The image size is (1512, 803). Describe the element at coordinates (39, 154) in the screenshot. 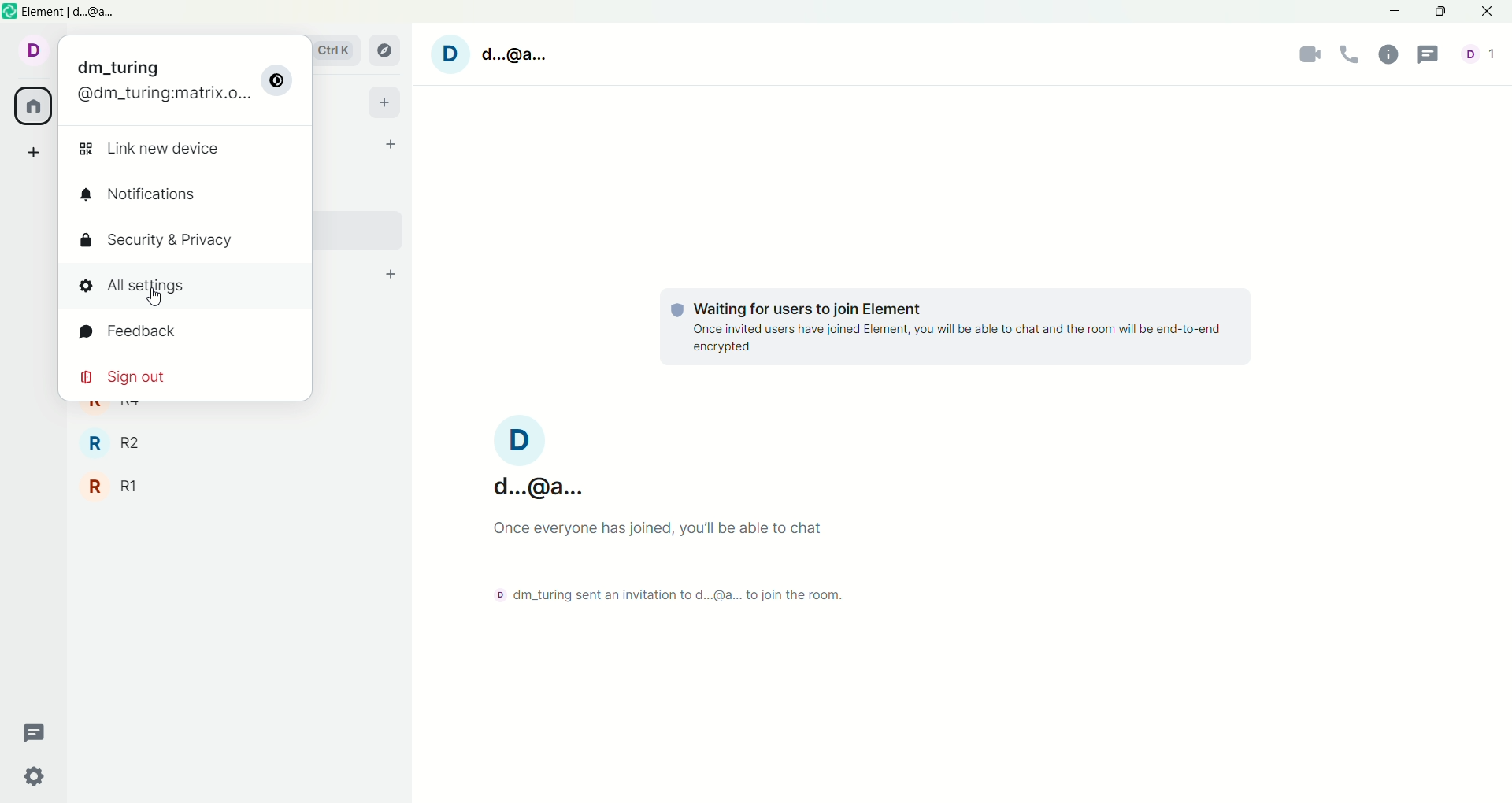

I see `create a space` at that location.